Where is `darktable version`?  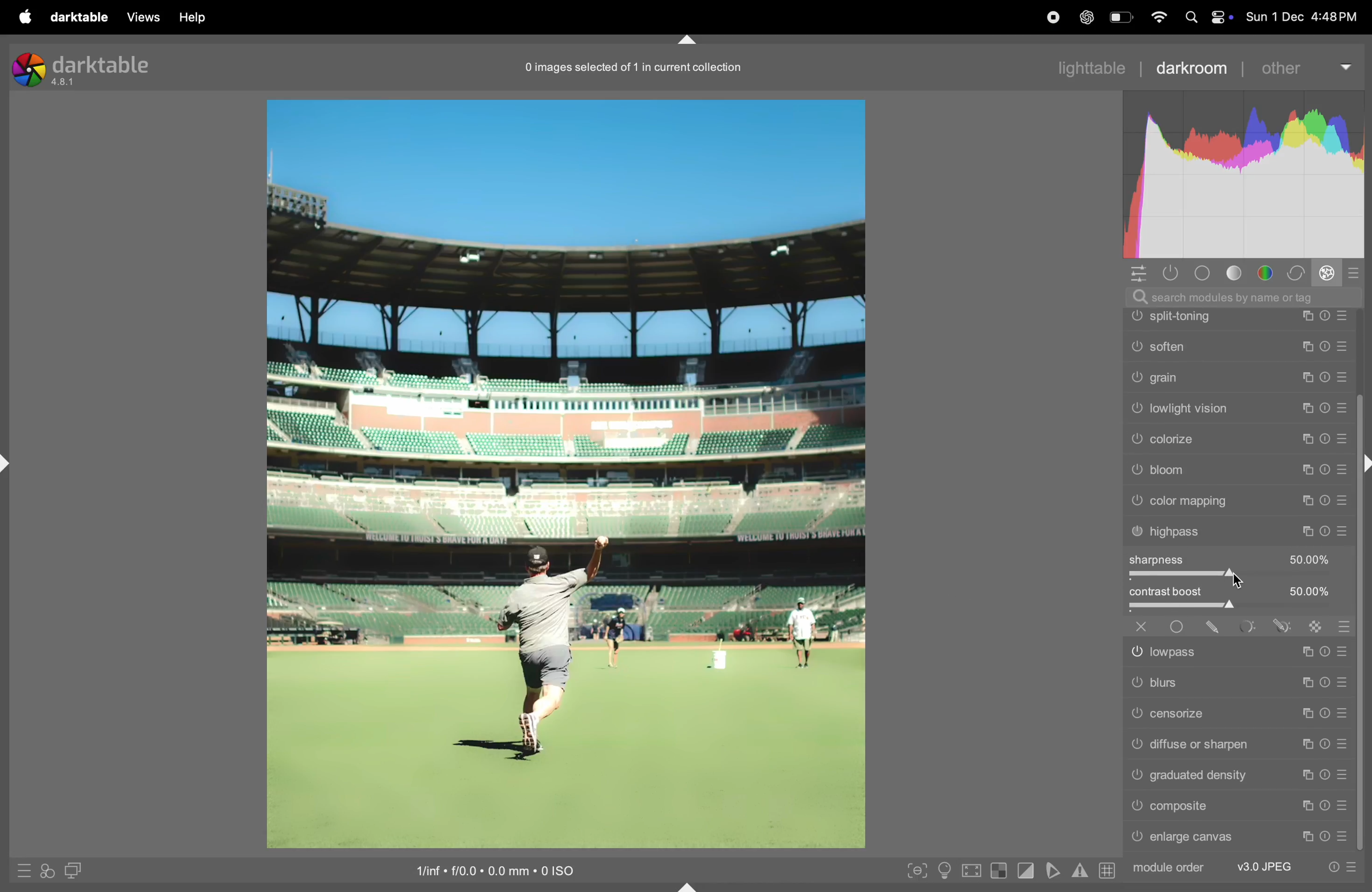 darktable version is located at coordinates (87, 66).